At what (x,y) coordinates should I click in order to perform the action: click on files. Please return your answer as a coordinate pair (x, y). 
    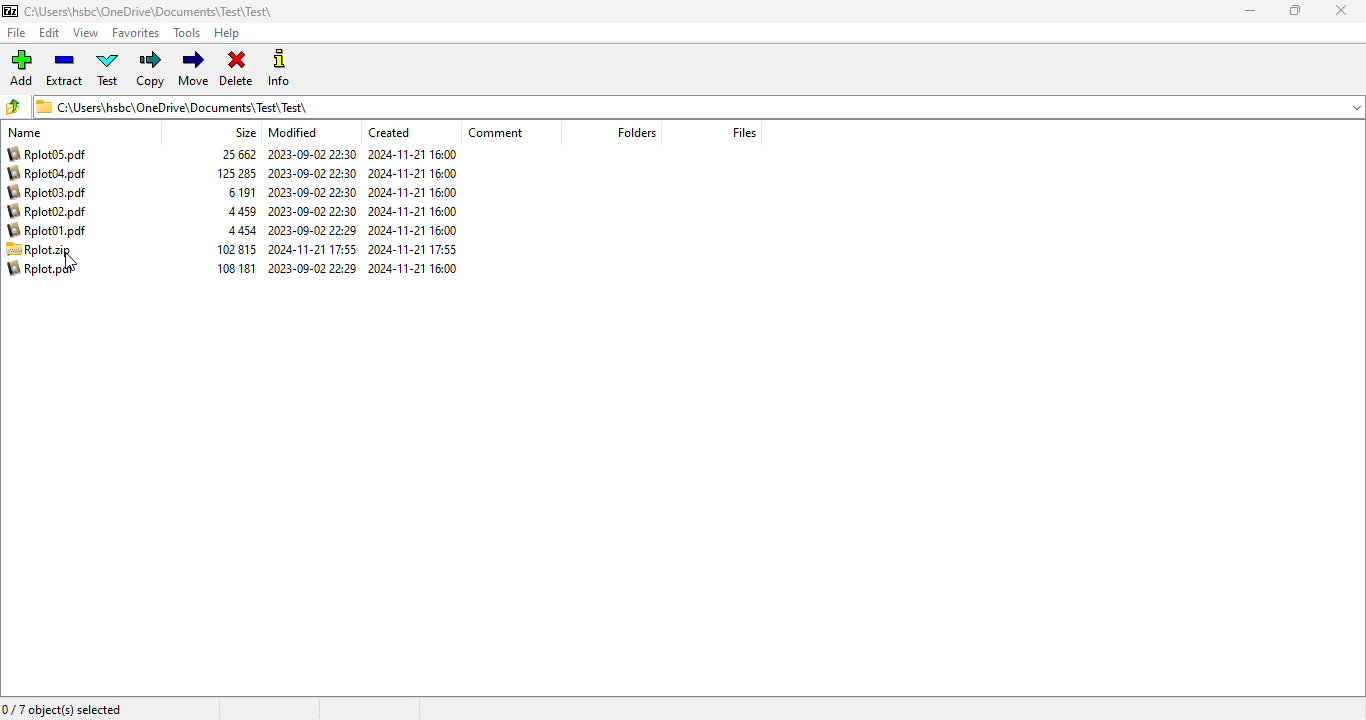
    Looking at the image, I should click on (744, 132).